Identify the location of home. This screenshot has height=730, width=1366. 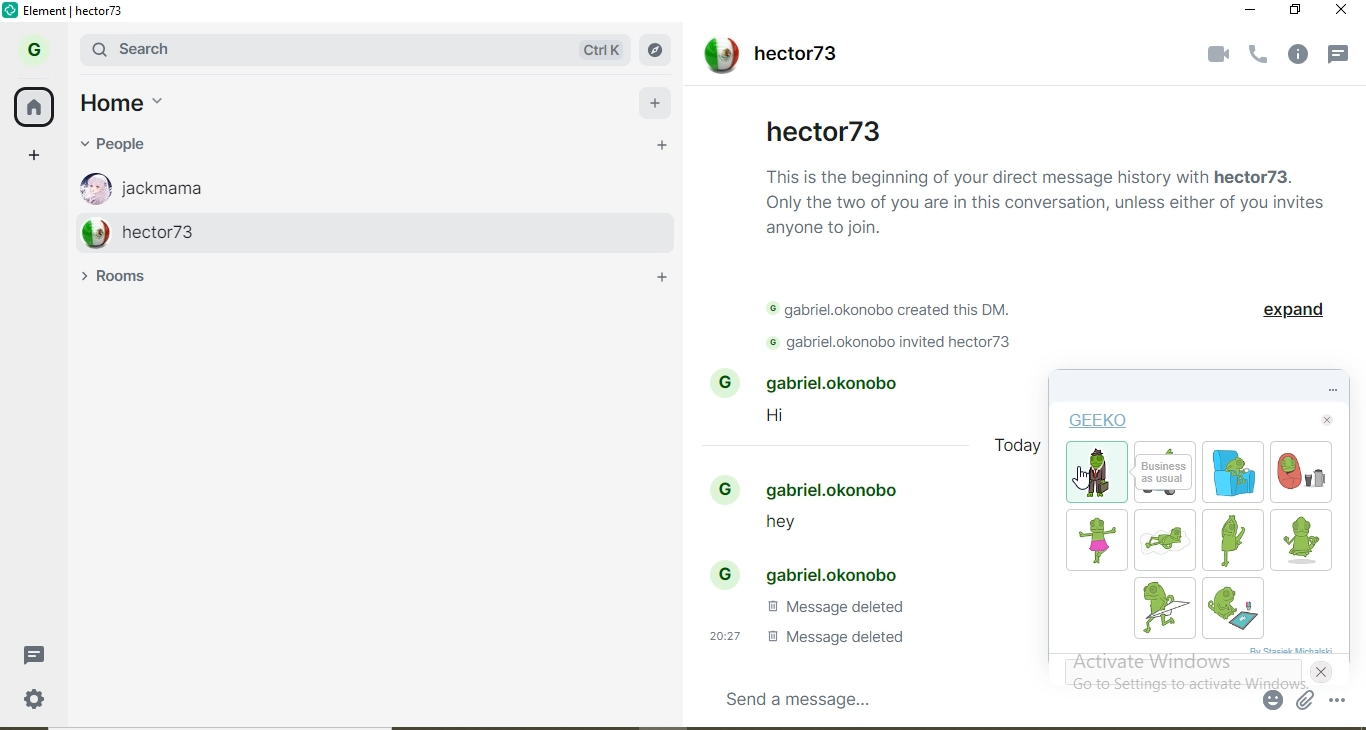
(137, 104).